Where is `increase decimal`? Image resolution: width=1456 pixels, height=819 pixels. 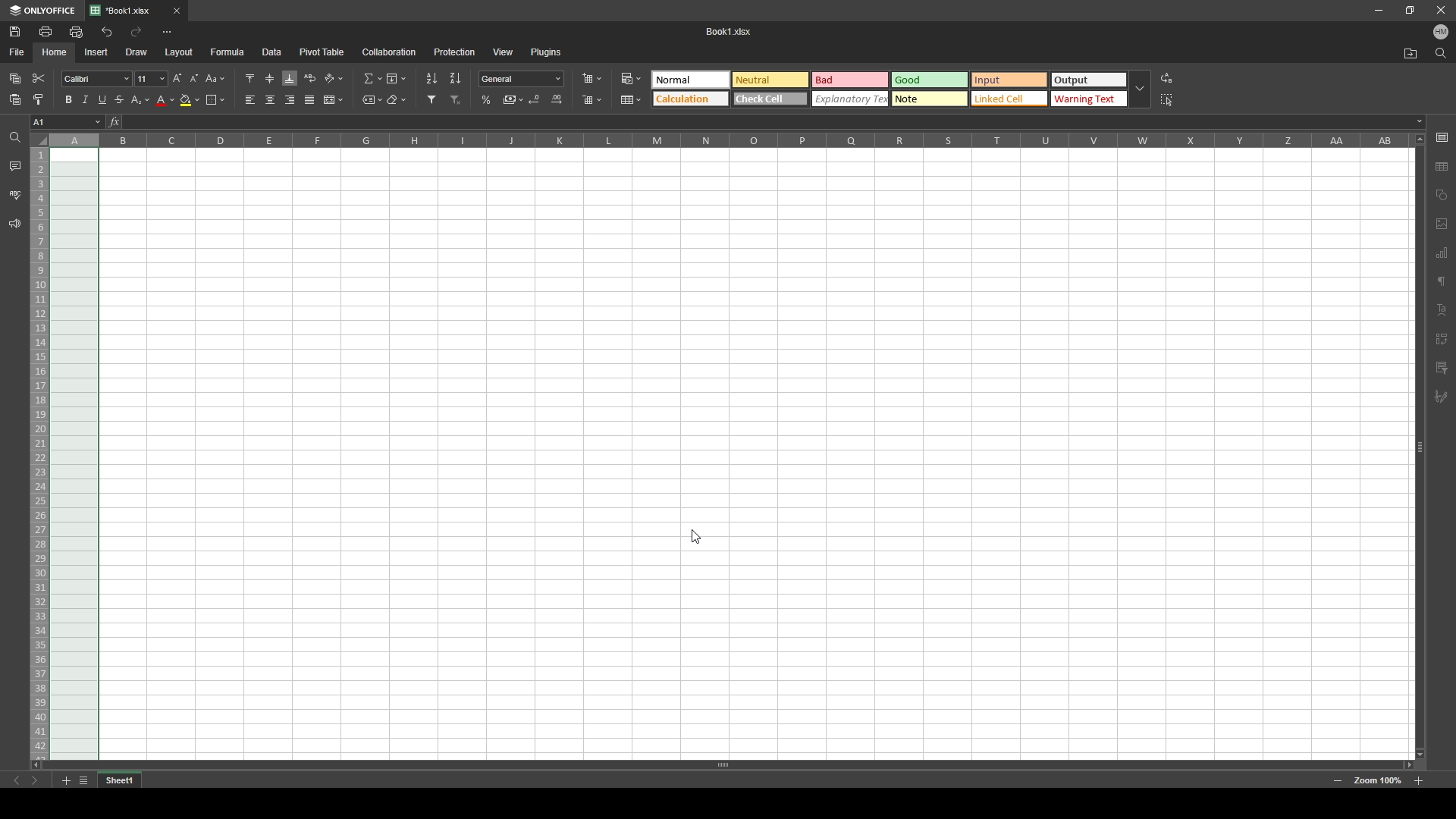
increase decimal is located at coordinates (557, 99).